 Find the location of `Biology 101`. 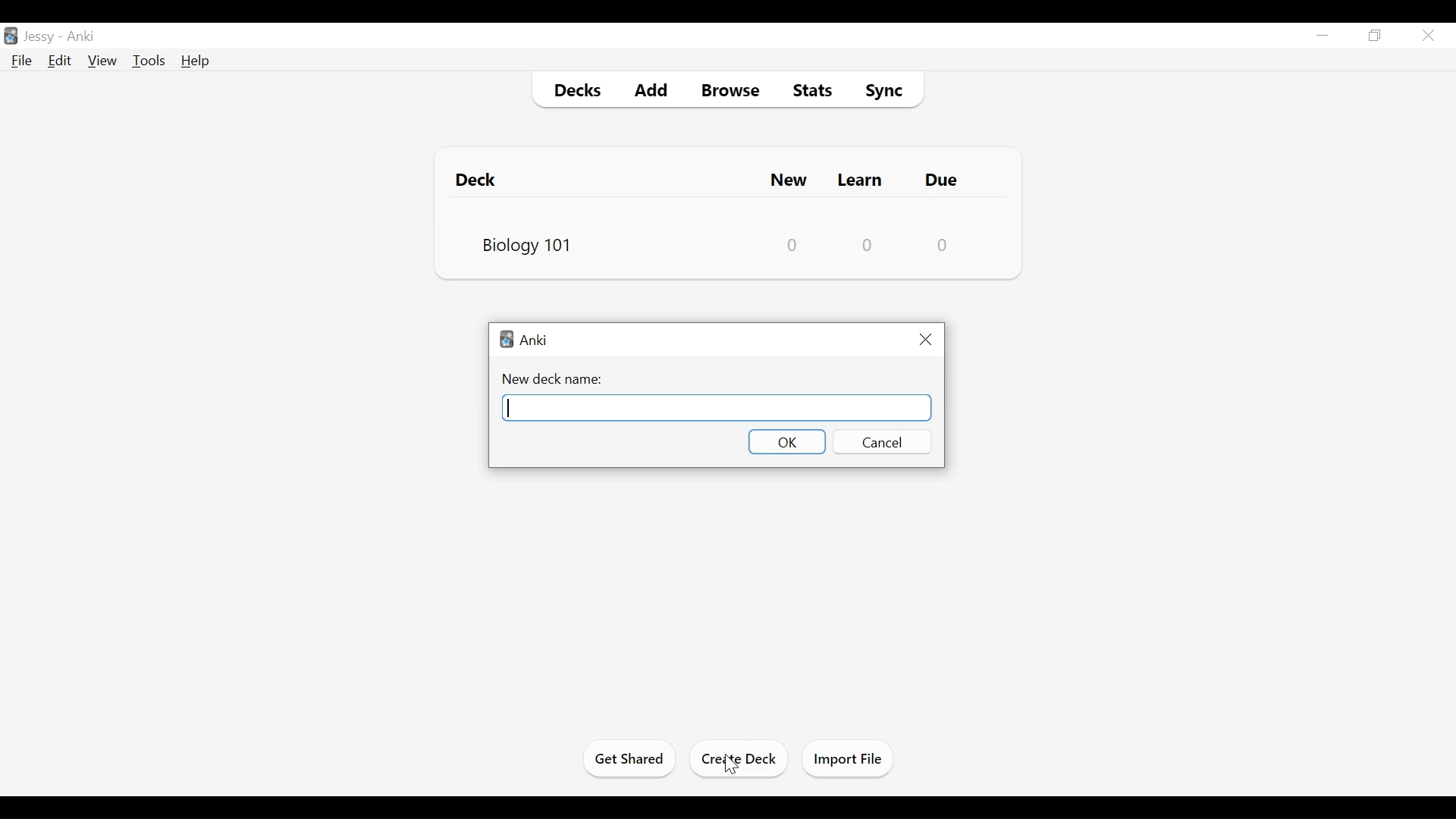

Biology 101 is located at coordinates (526, 243).